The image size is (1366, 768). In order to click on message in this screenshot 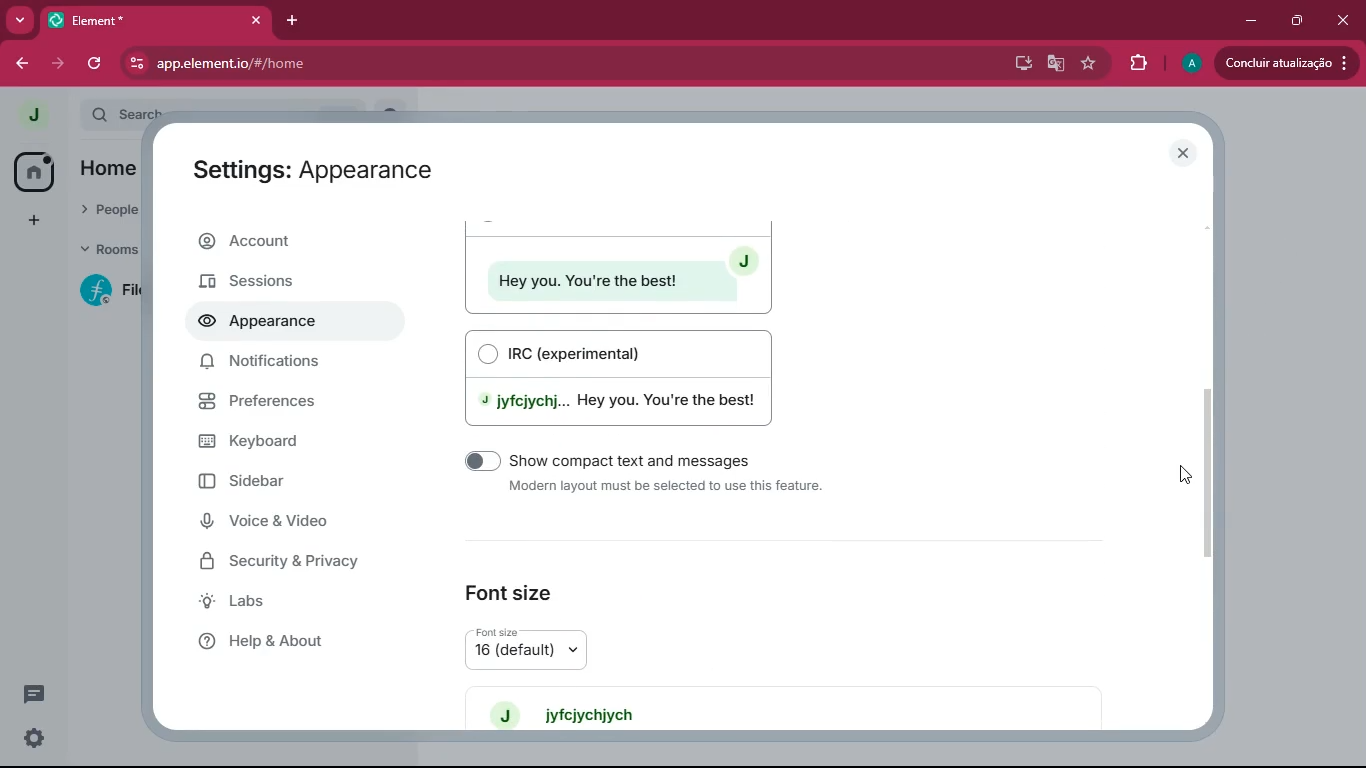, I will do `click(32, 697)`.